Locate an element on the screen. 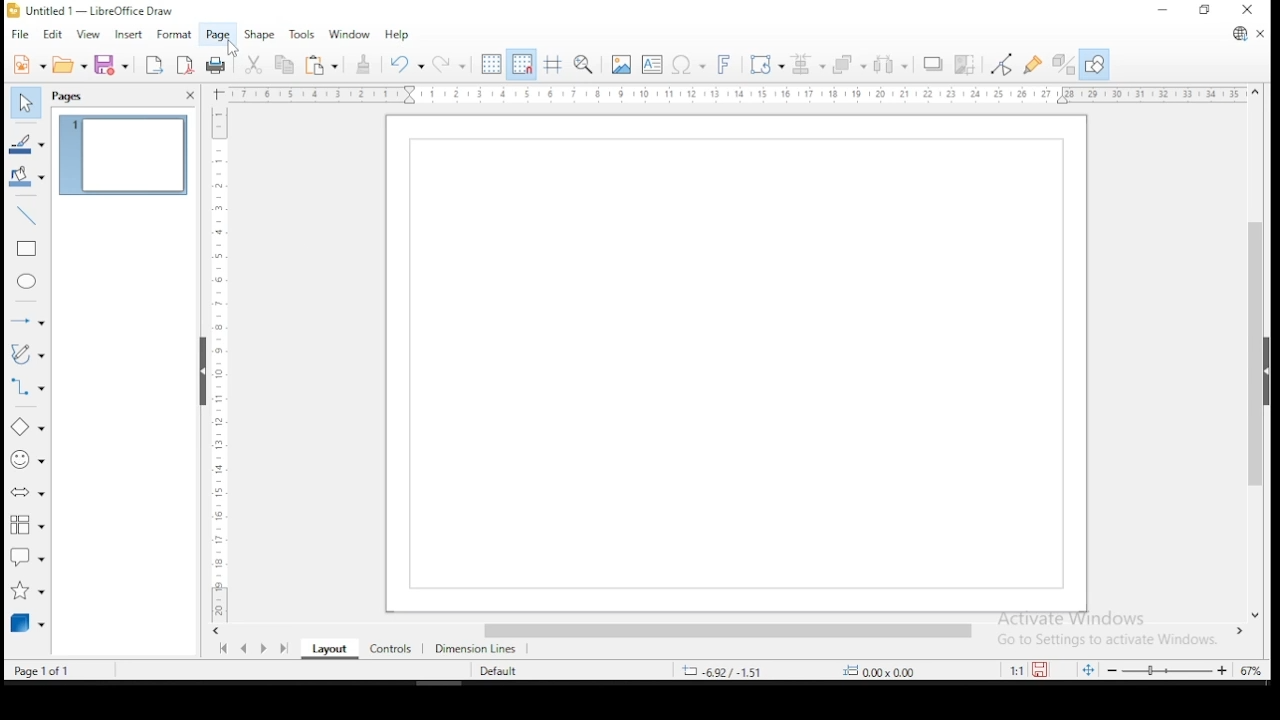 This screenshot has width=1280, height=720. select at least three objects to distribute is located at coordinates (892, 66).